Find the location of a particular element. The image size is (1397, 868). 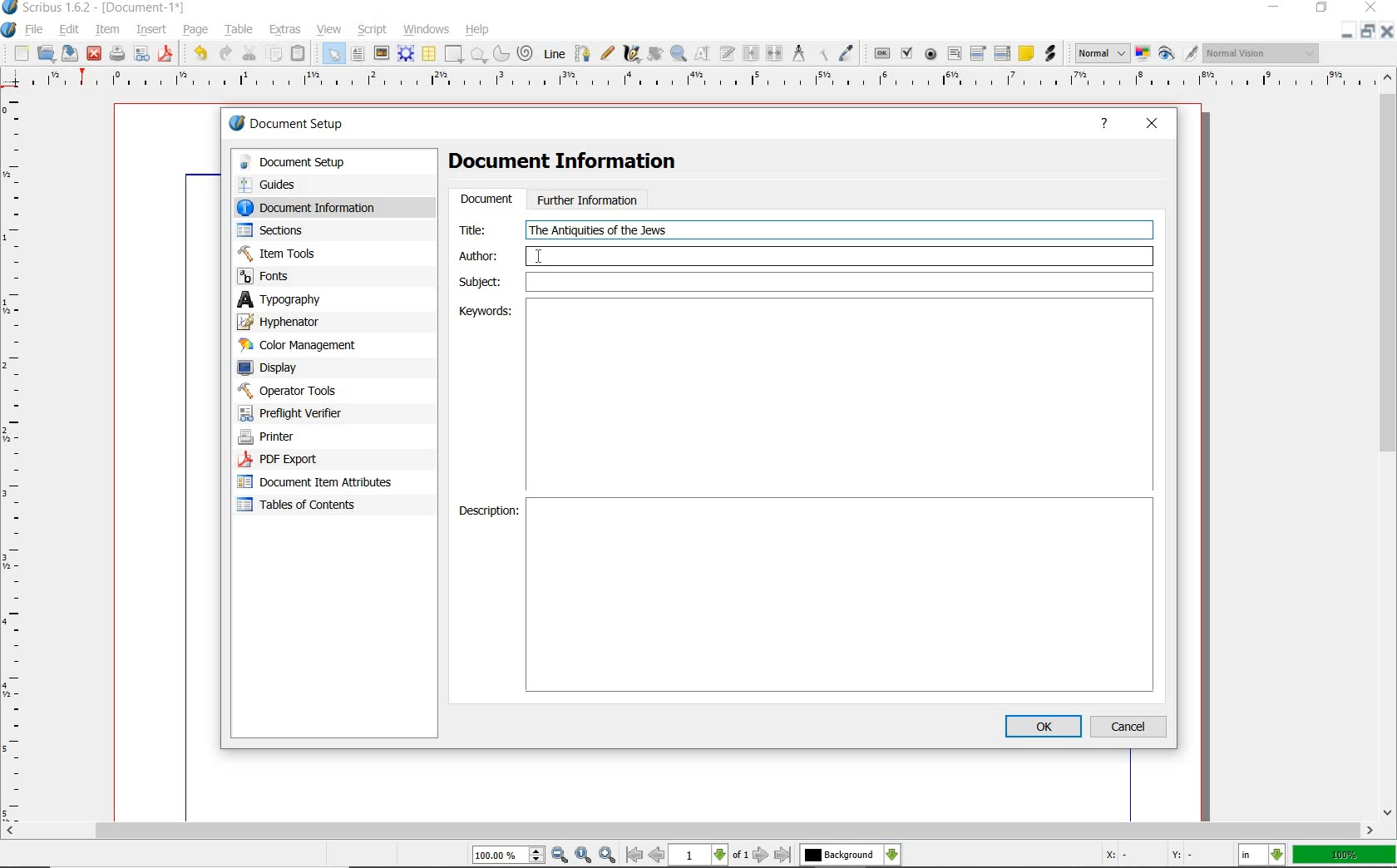

measurements is located at coordinates (797, 53).